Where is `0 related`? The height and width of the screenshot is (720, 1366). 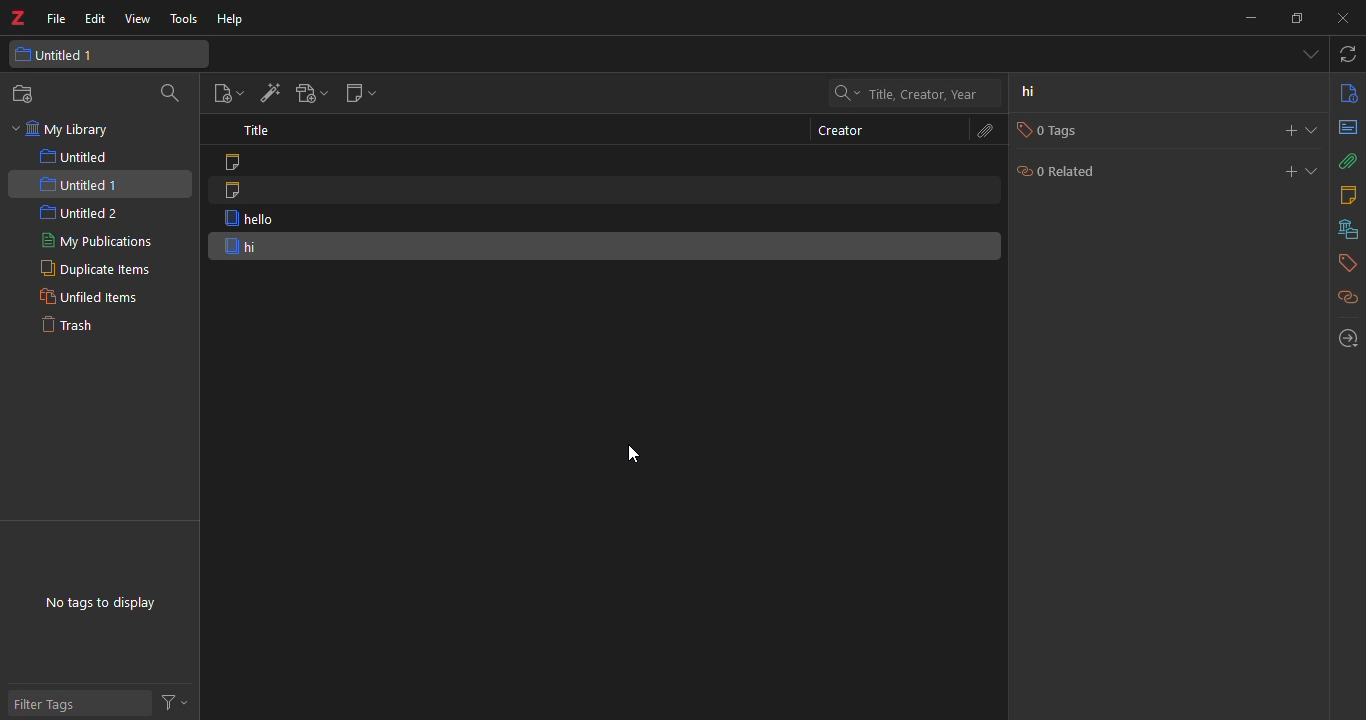 0 related is located at coordinates (1061, 170).